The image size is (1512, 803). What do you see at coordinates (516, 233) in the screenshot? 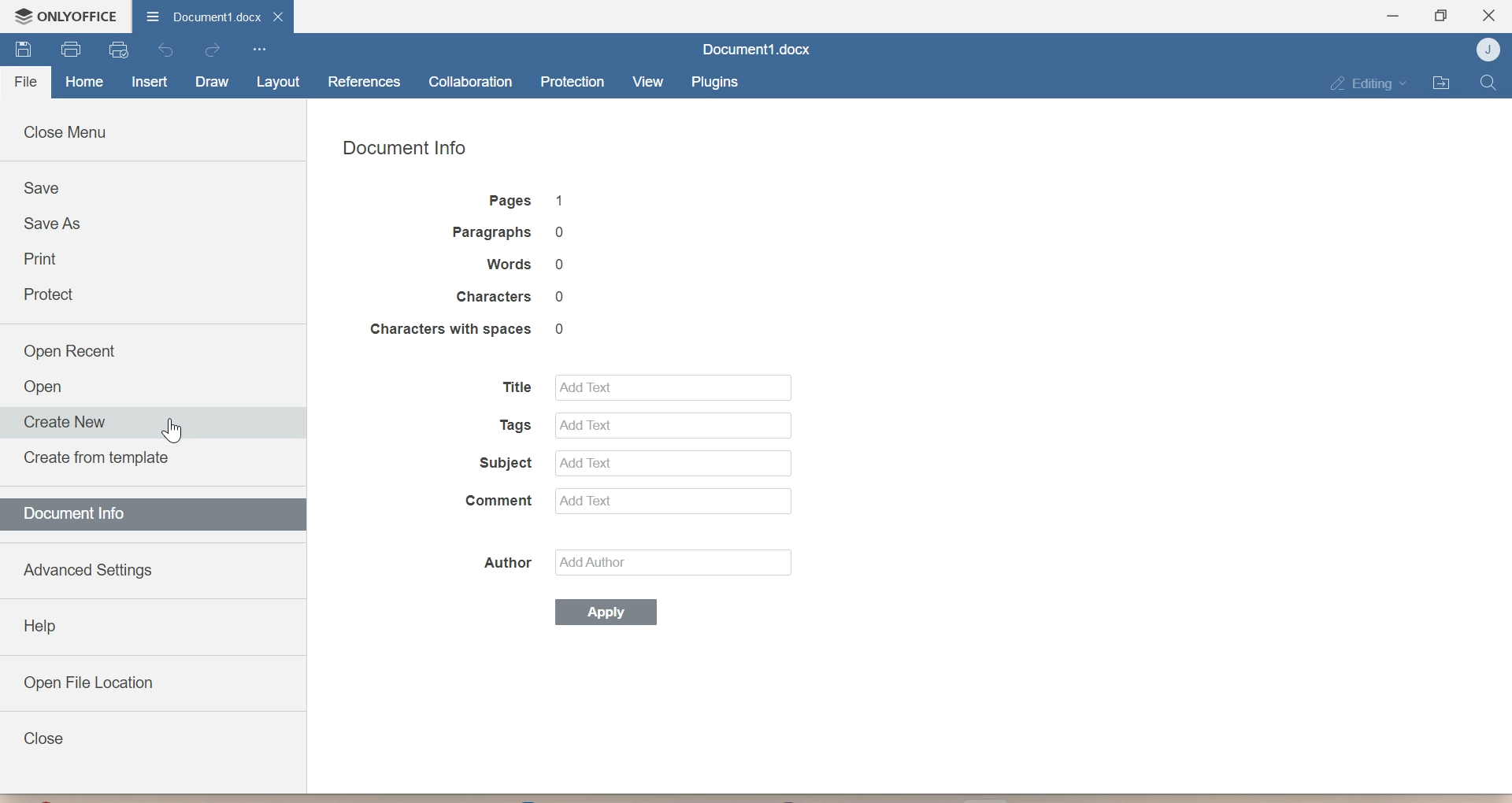
I see `Paragraphs 0` at bounding box center [516, 233].